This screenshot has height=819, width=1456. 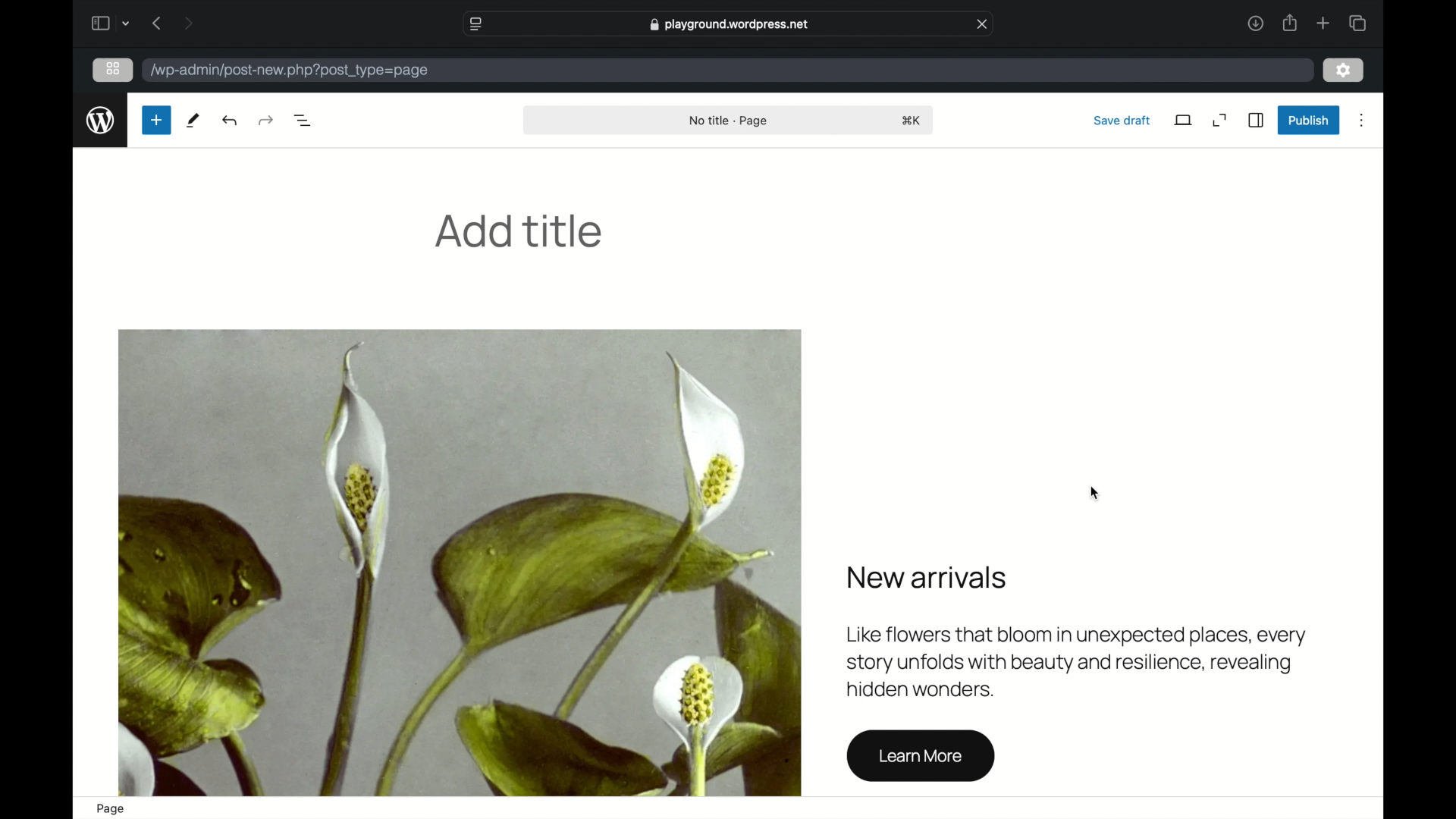 What do you see at coordinates (519, 231) in the screenshot?
I see `add title` at bounding box center [519, 231].